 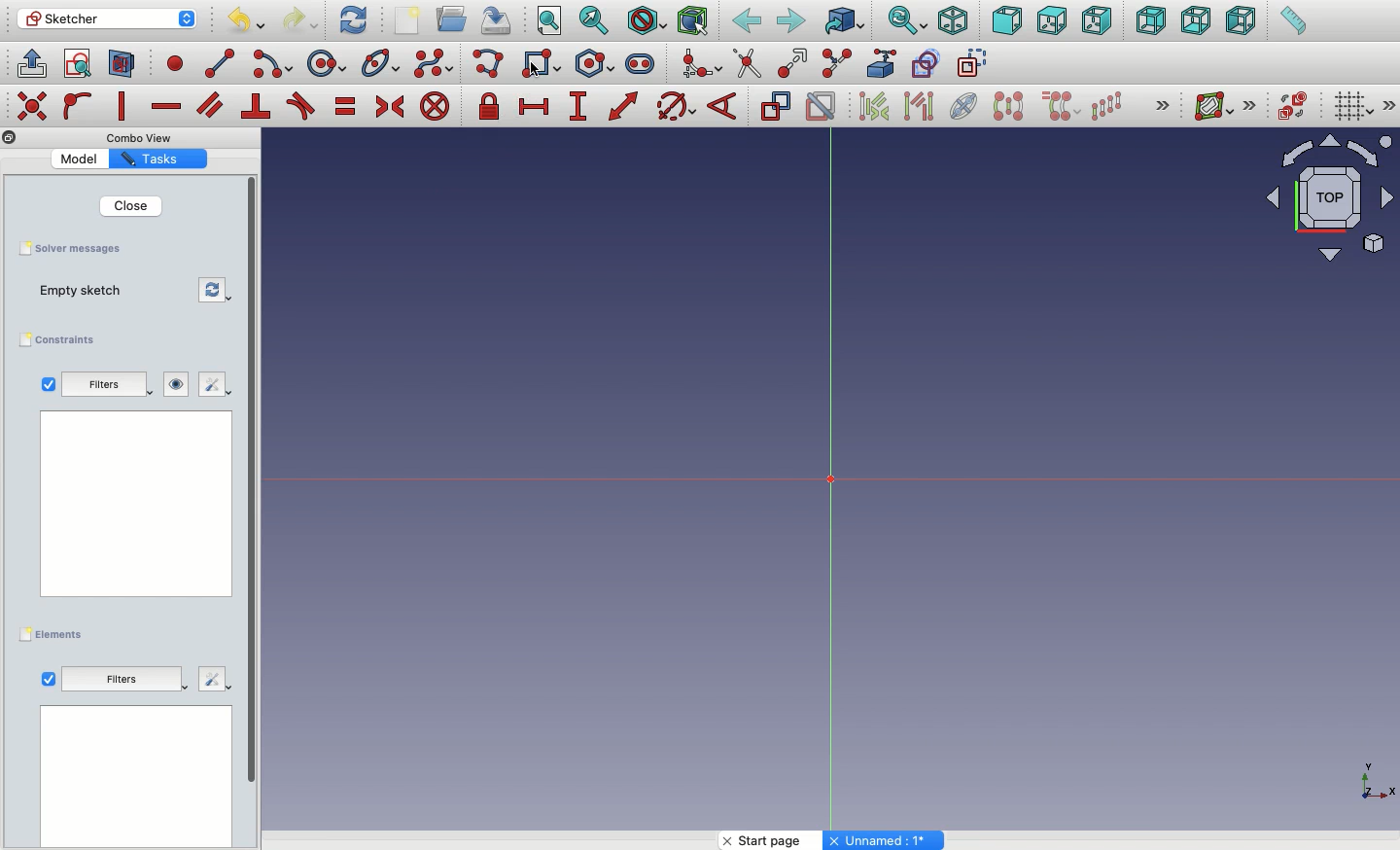 What do you see at coordinates (880, 63) in the screenshot?
I see `External geometry` at bounding box center [880, 63].